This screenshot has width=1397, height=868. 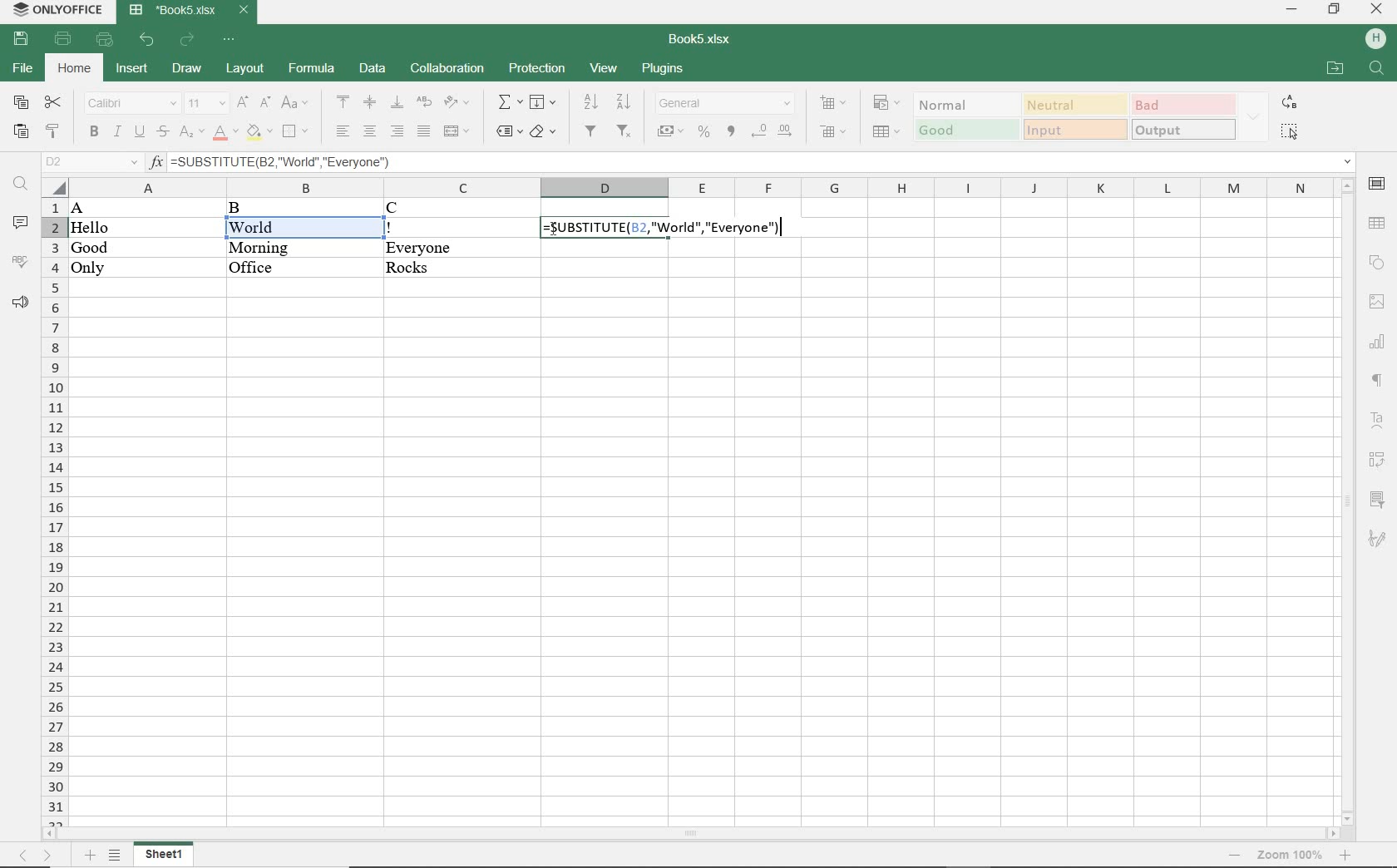 I want to click on move down, so click(x=1346, y=817).